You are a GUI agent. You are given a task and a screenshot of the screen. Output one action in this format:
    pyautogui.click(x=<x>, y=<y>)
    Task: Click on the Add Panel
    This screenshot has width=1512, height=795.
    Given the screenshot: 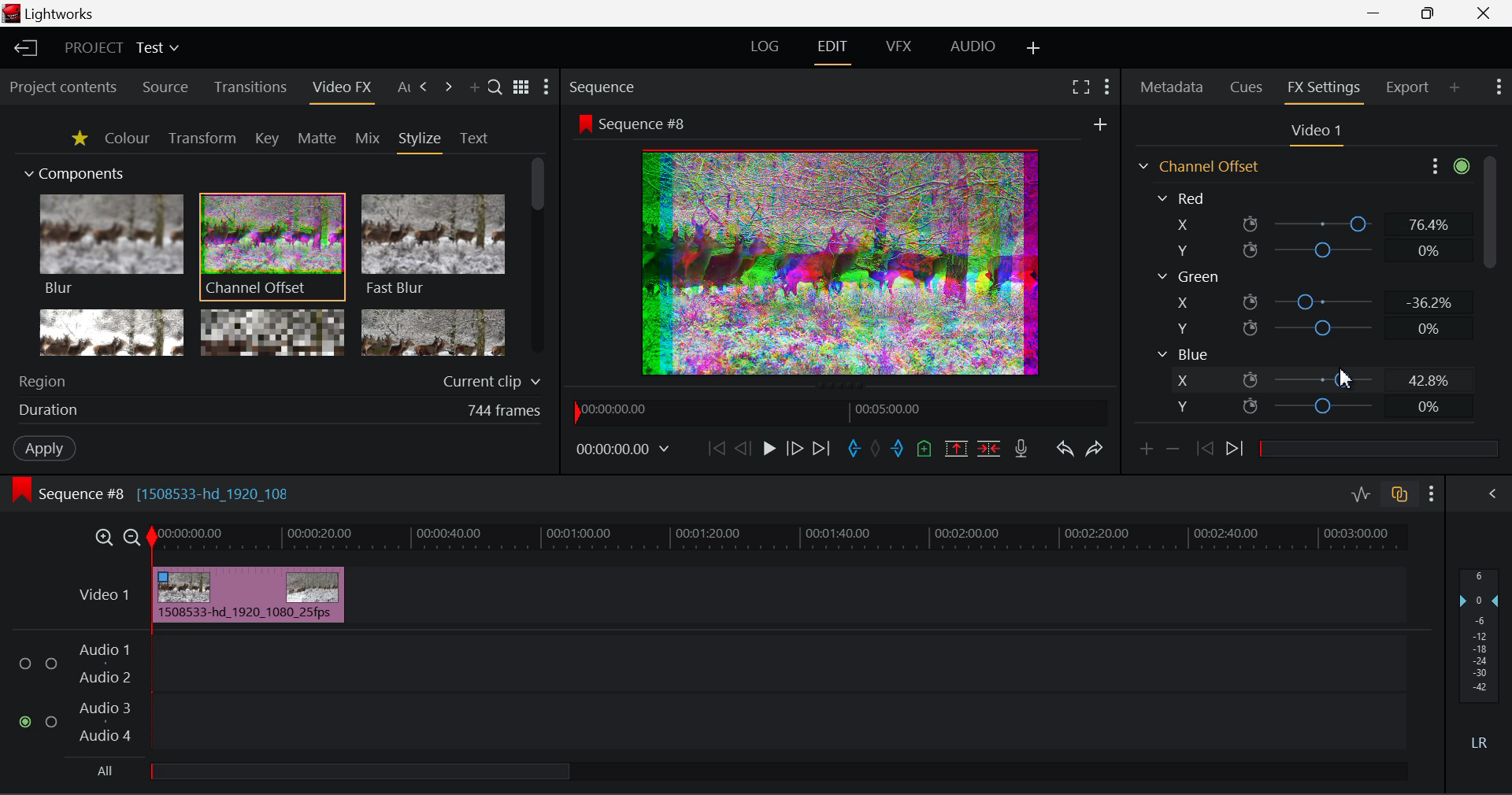 What is the action you would take?
    pyautogui.click(x=1454, y=88)
    